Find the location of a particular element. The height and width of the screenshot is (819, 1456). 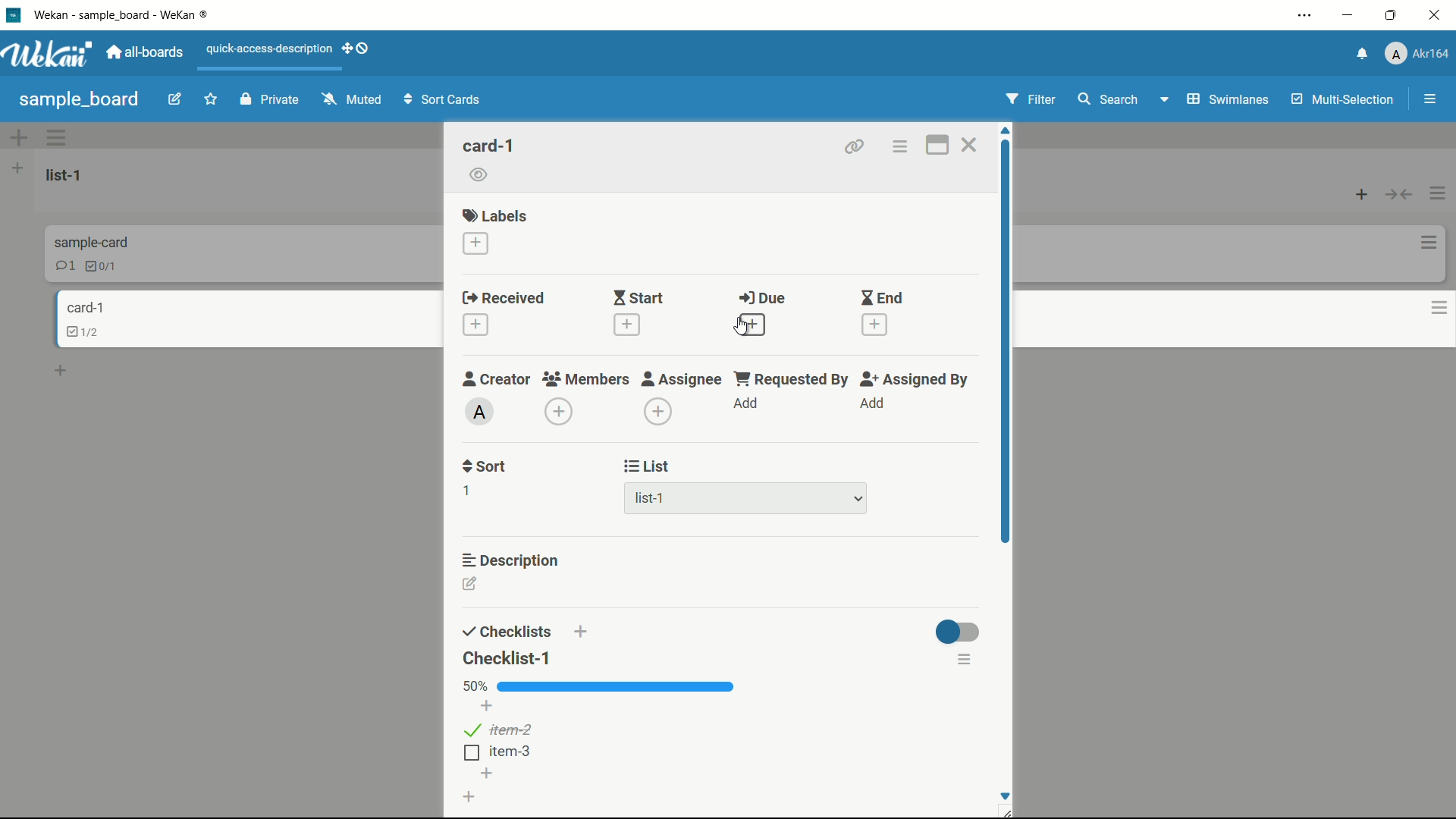

maximize card is located at coordinates (938, 146).